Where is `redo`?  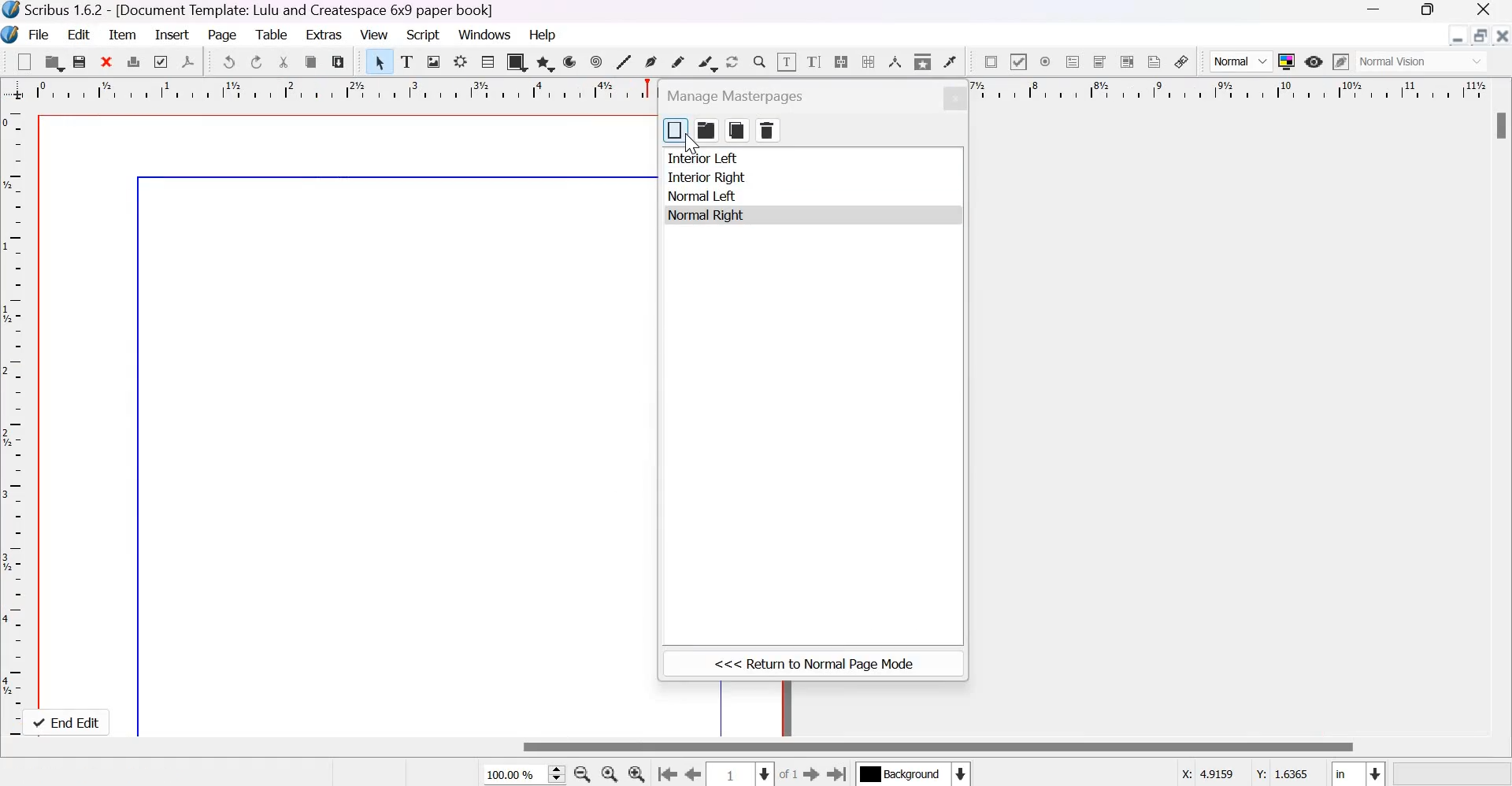
redo is located at coordinates (257, 61).